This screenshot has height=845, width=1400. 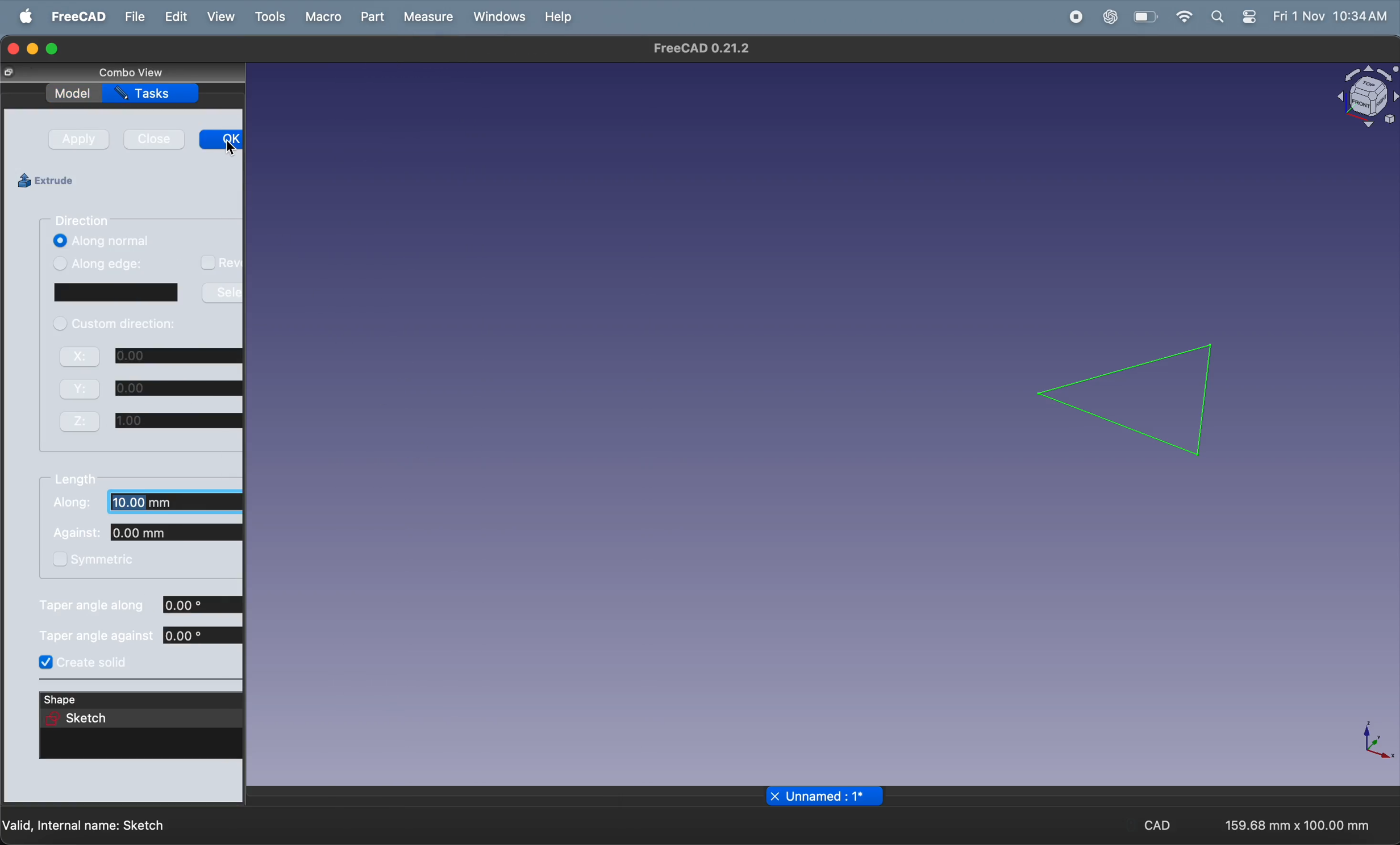 I want to click on file, so click(x=134, y=16).